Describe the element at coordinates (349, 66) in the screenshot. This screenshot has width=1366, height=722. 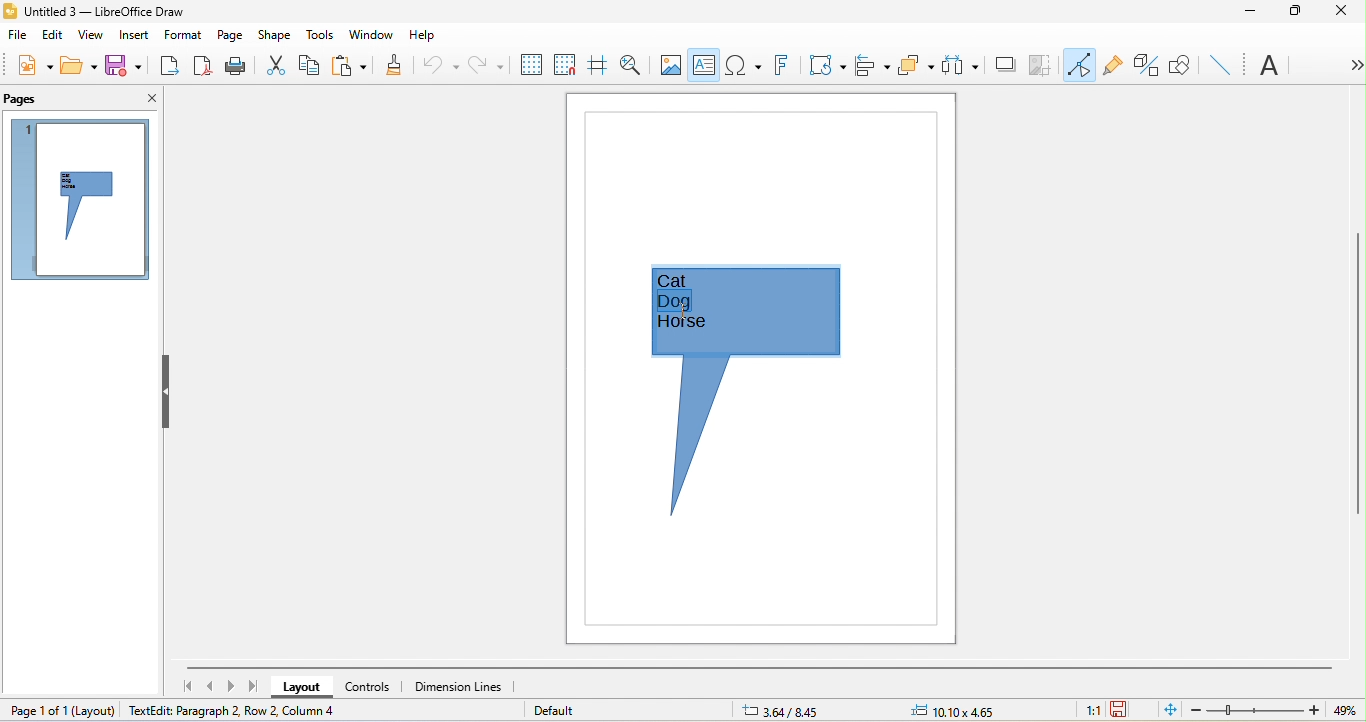
I see `paste` at that location.